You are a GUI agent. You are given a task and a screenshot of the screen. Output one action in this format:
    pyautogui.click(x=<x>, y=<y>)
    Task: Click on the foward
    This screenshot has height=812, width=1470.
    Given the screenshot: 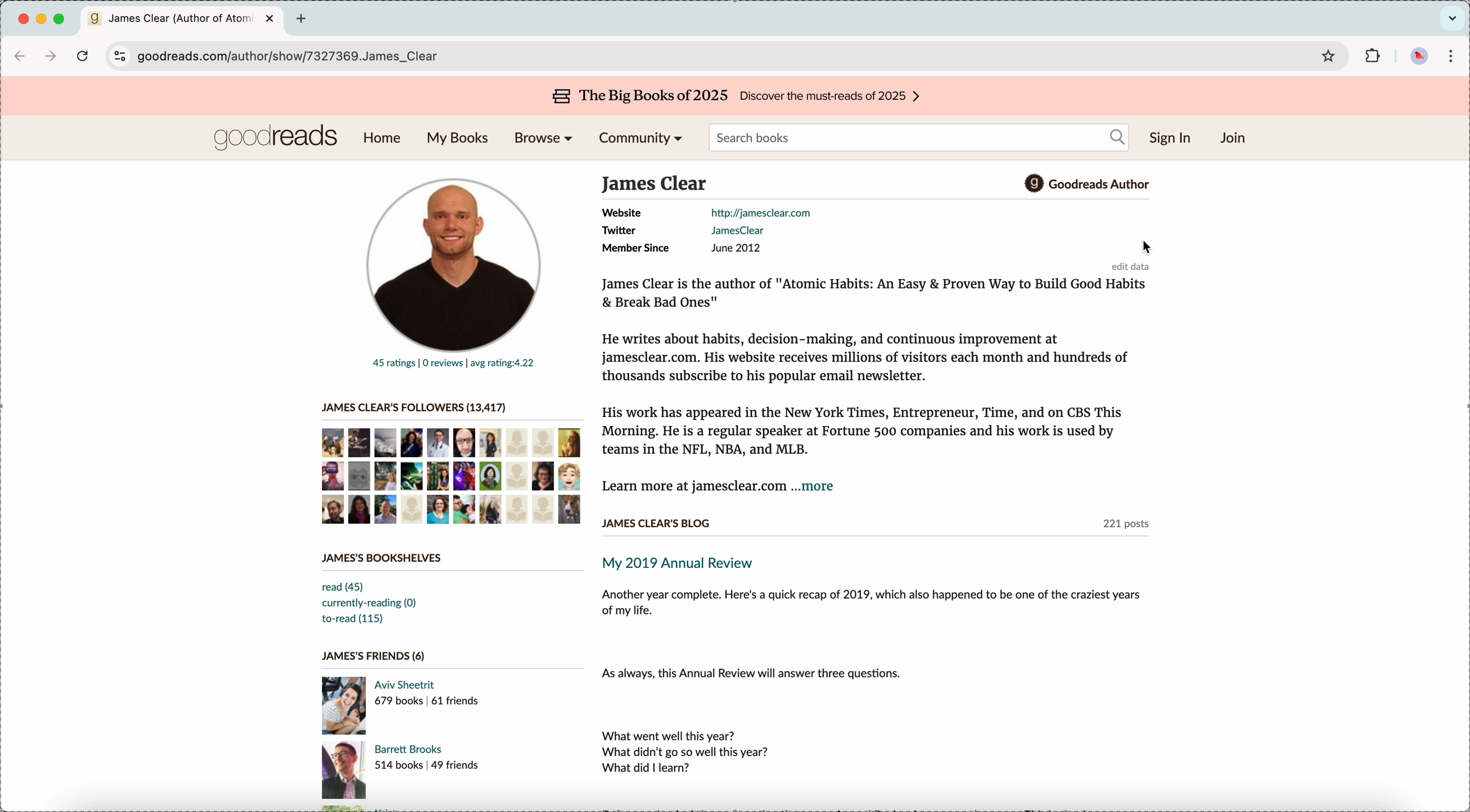 What is the action you would take?
    pyautogui.click(x=51, y=57)
    